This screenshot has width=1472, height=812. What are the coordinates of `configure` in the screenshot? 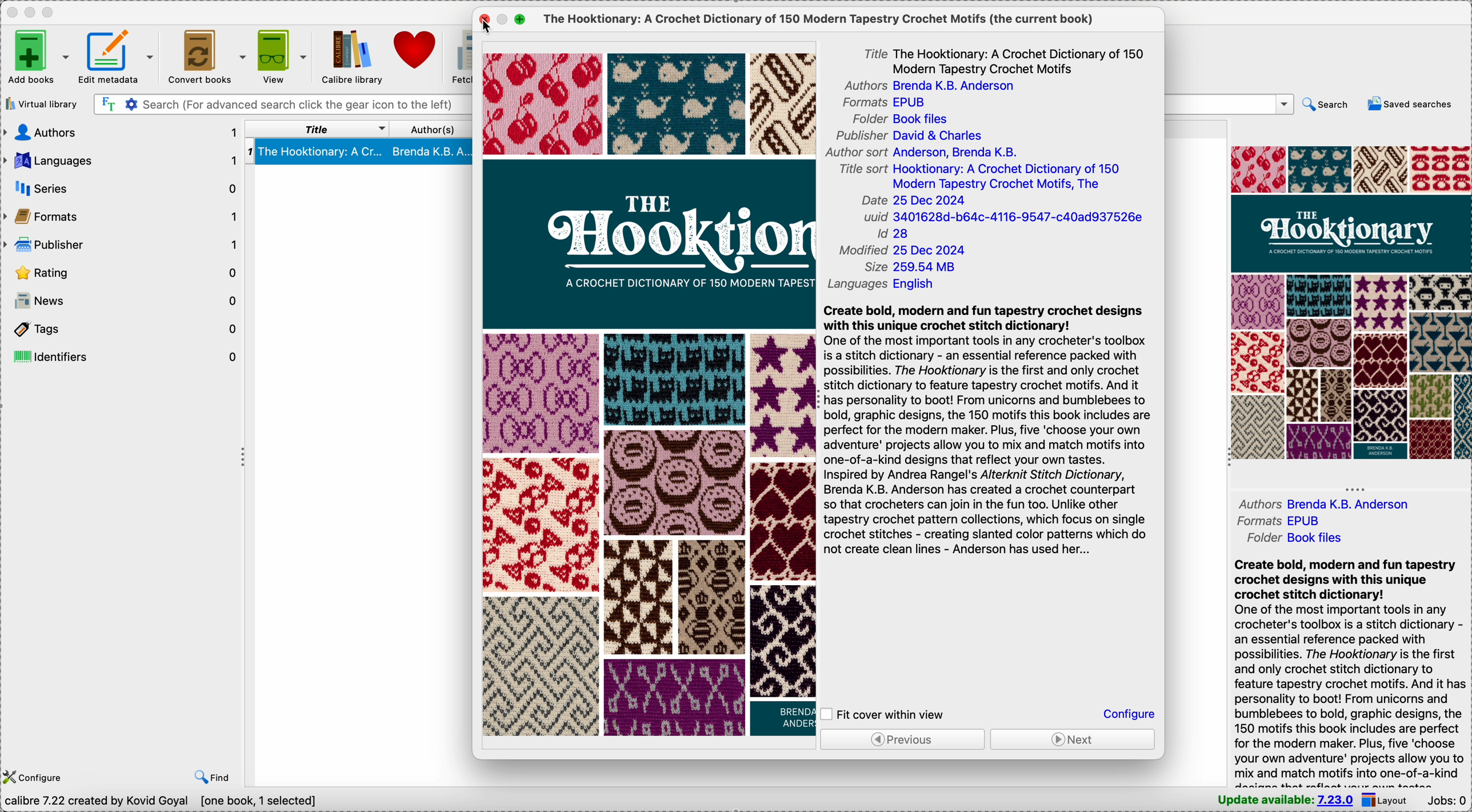 It's located at (1126, 712).